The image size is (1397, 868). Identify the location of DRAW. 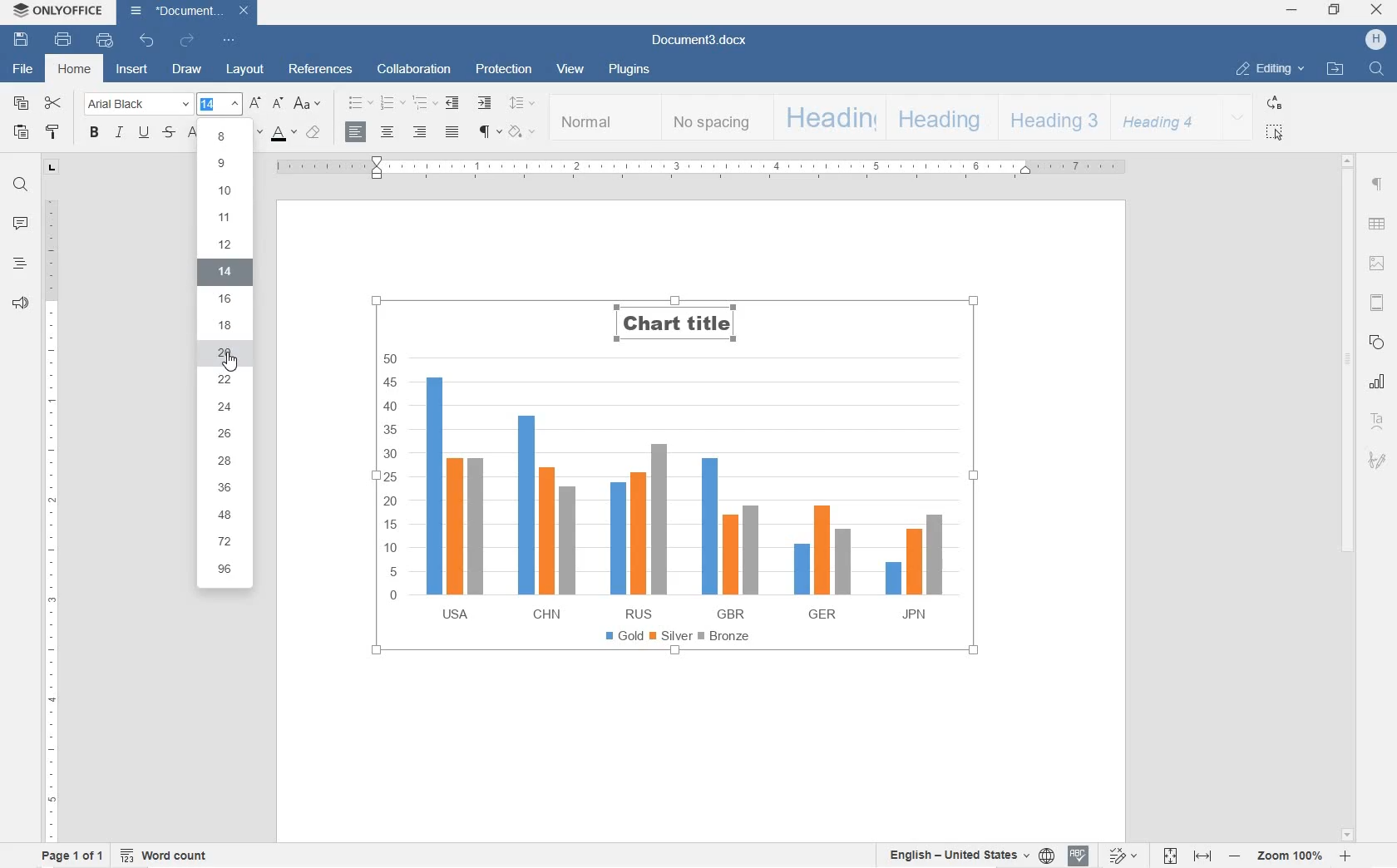
(187, 71).